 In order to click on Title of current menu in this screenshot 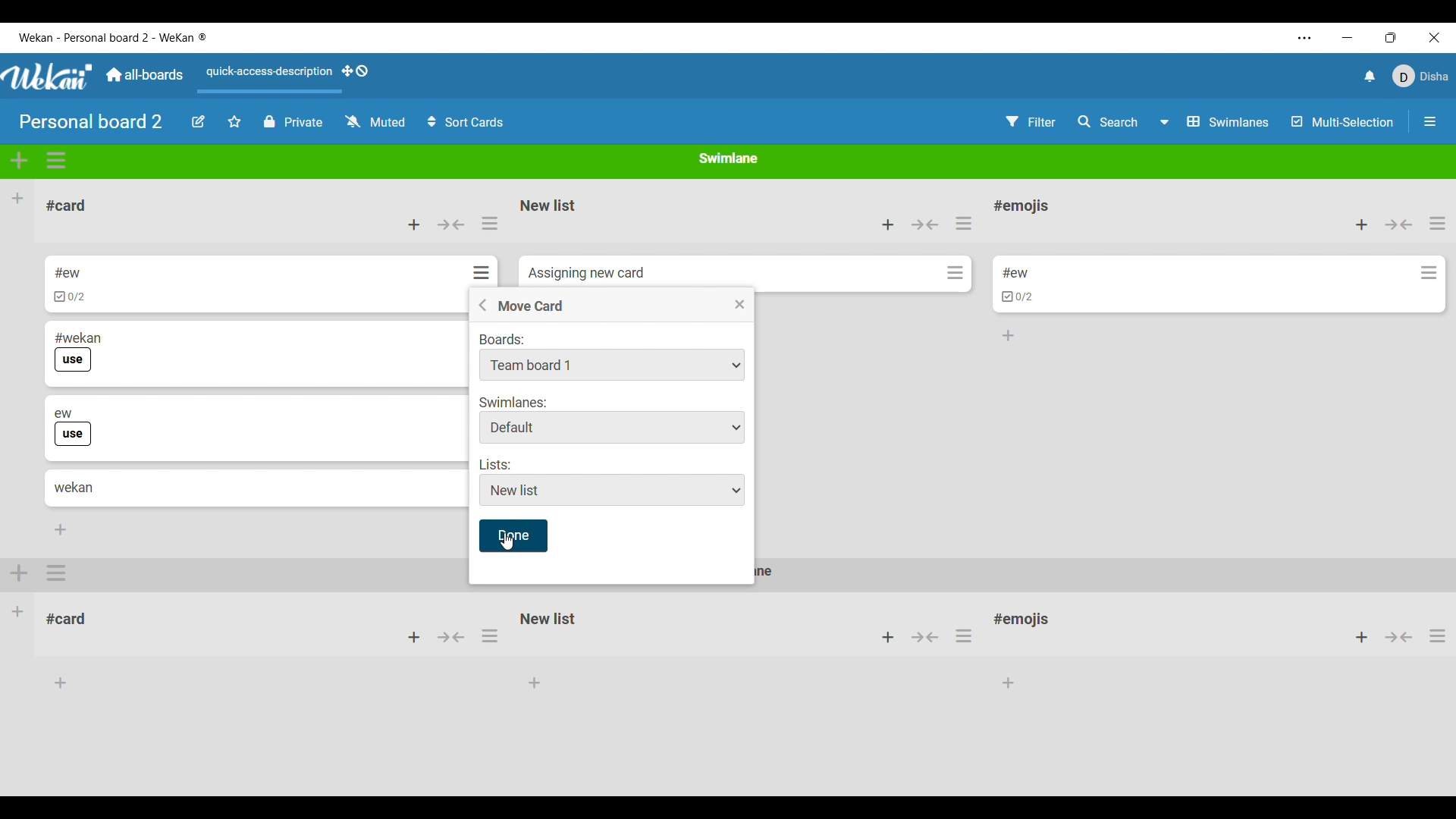, I will do `click(530, 306)`.